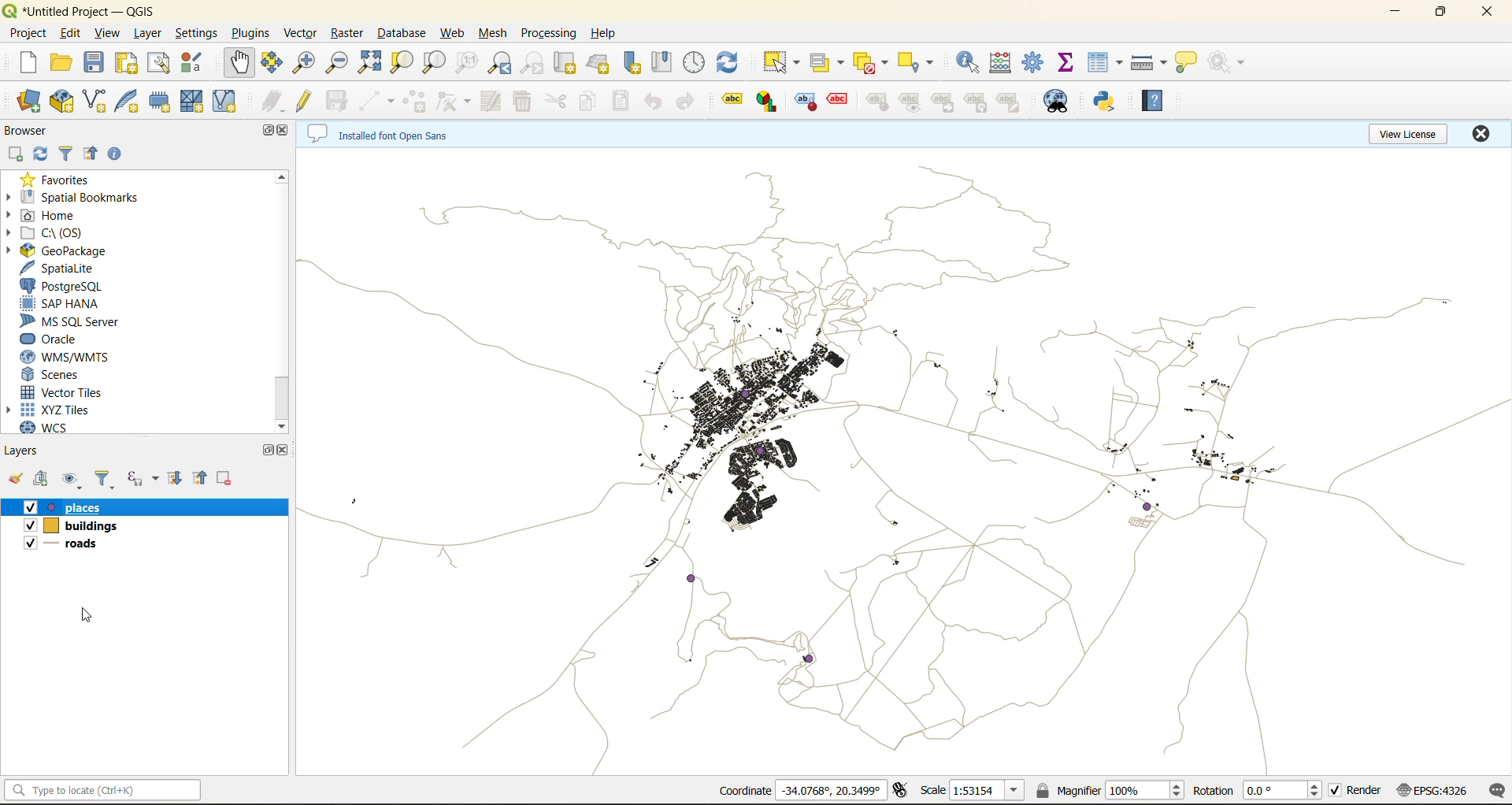  Describe the element at coordinates (196, 62) in the screenshot. I see `style management` at that location.